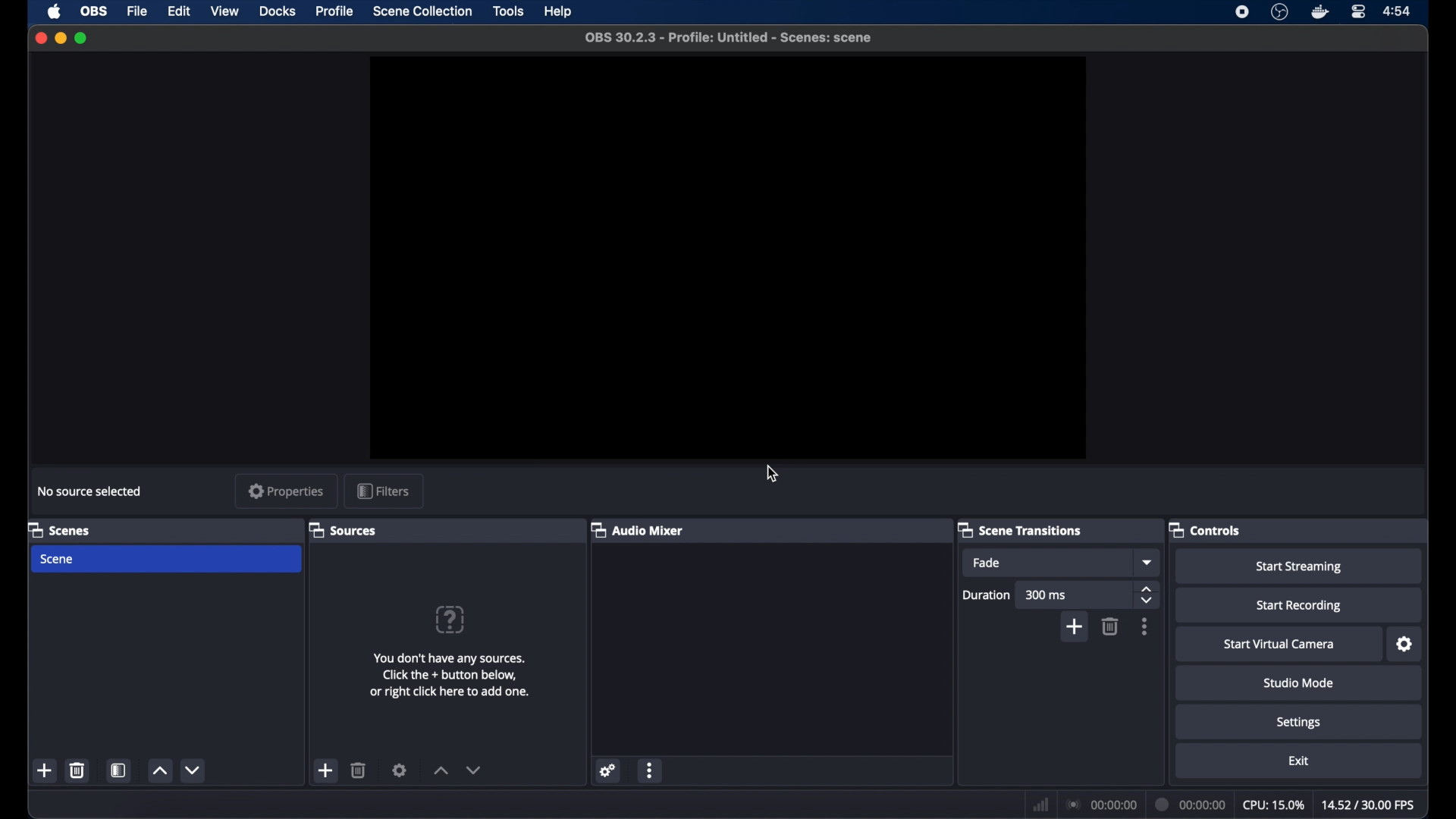 Image resolution: width=1456 pixels, height=819 pixels. Describe the element at coordinates (286, 491) in the screenshot. I see `properties` at that location.